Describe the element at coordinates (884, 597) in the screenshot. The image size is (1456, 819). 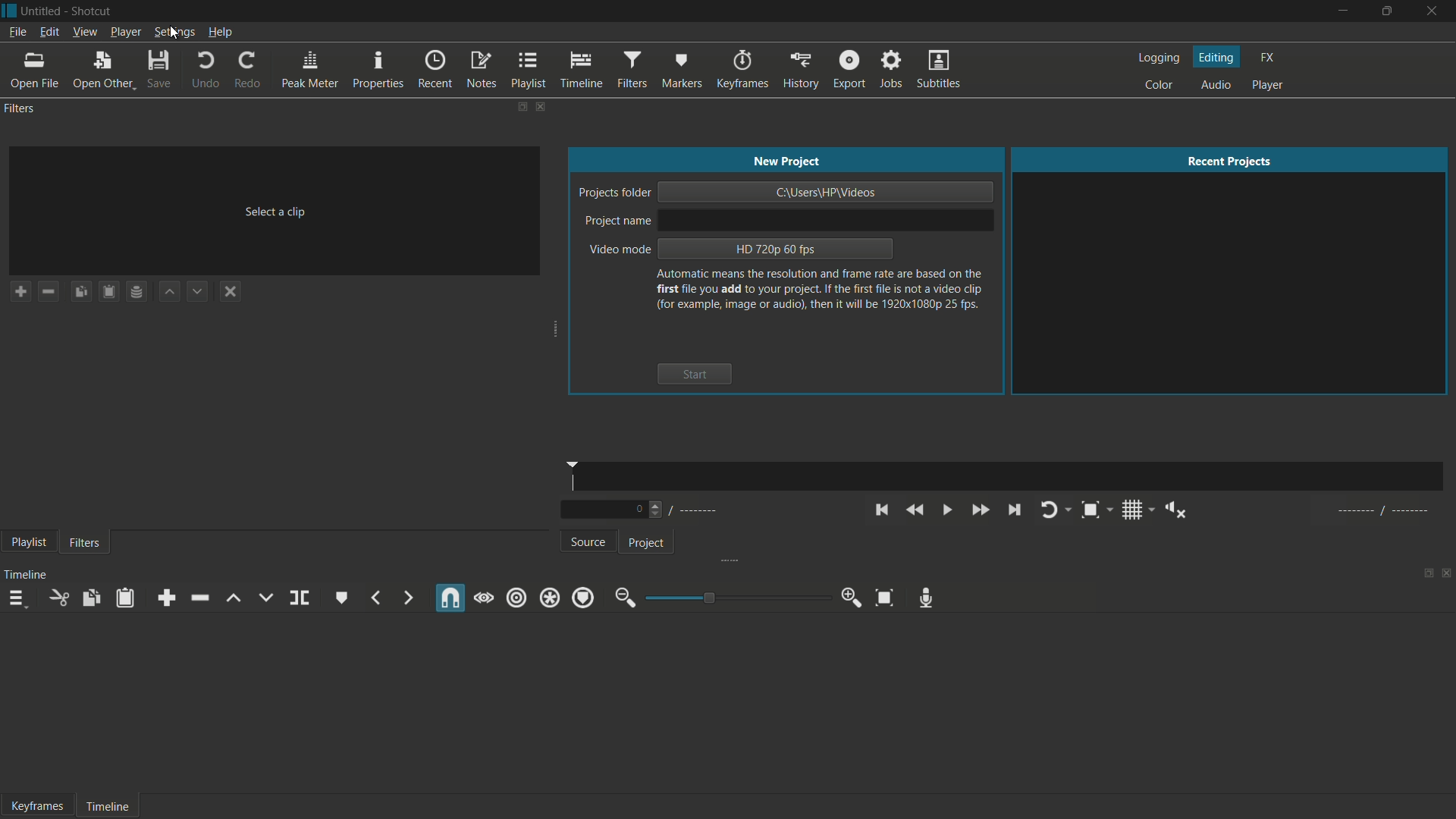
I see `zoom timeline to fit` at that location.